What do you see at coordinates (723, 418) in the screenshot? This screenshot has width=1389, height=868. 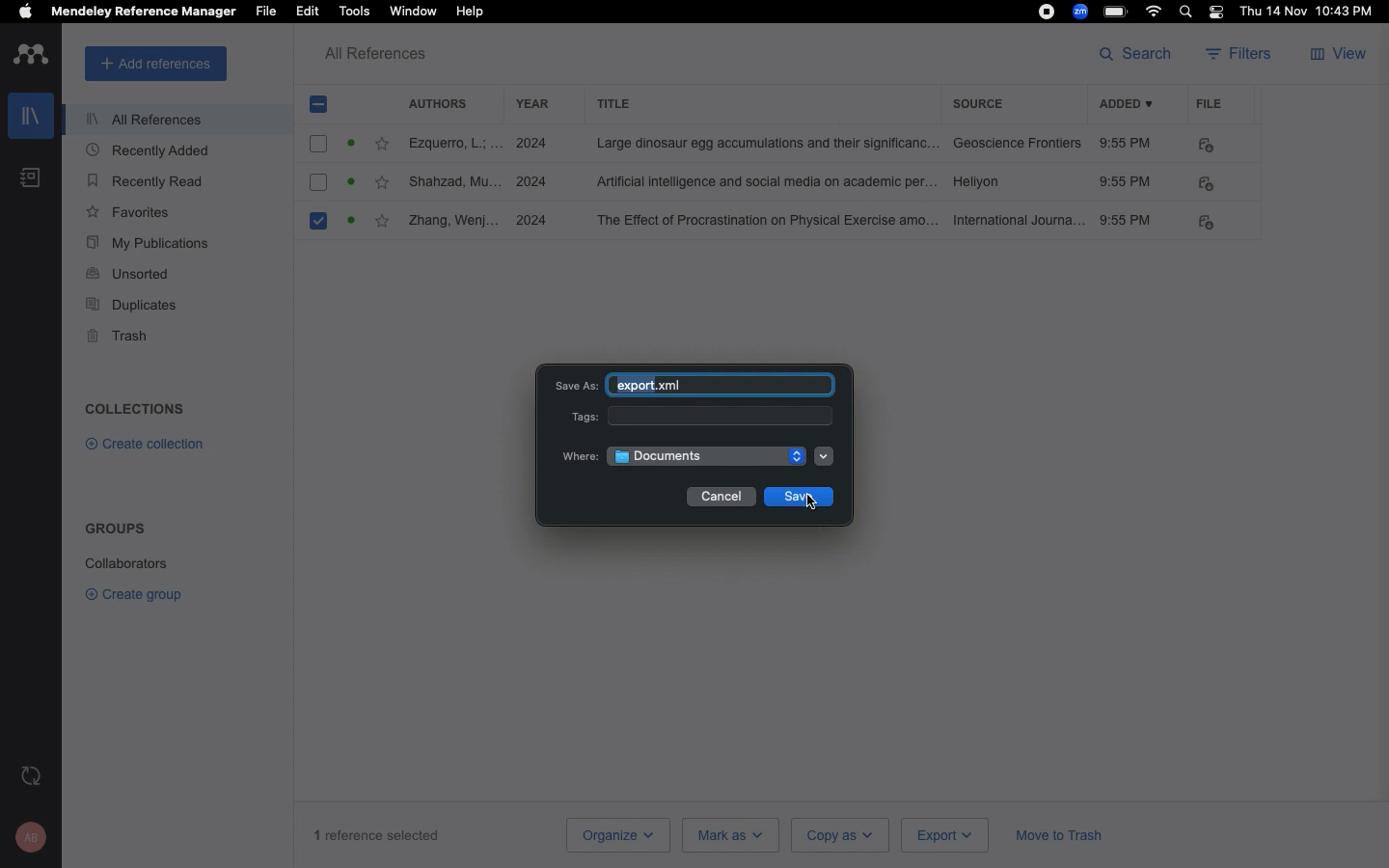 I see `Tags input` at bounding box center [723, 418].